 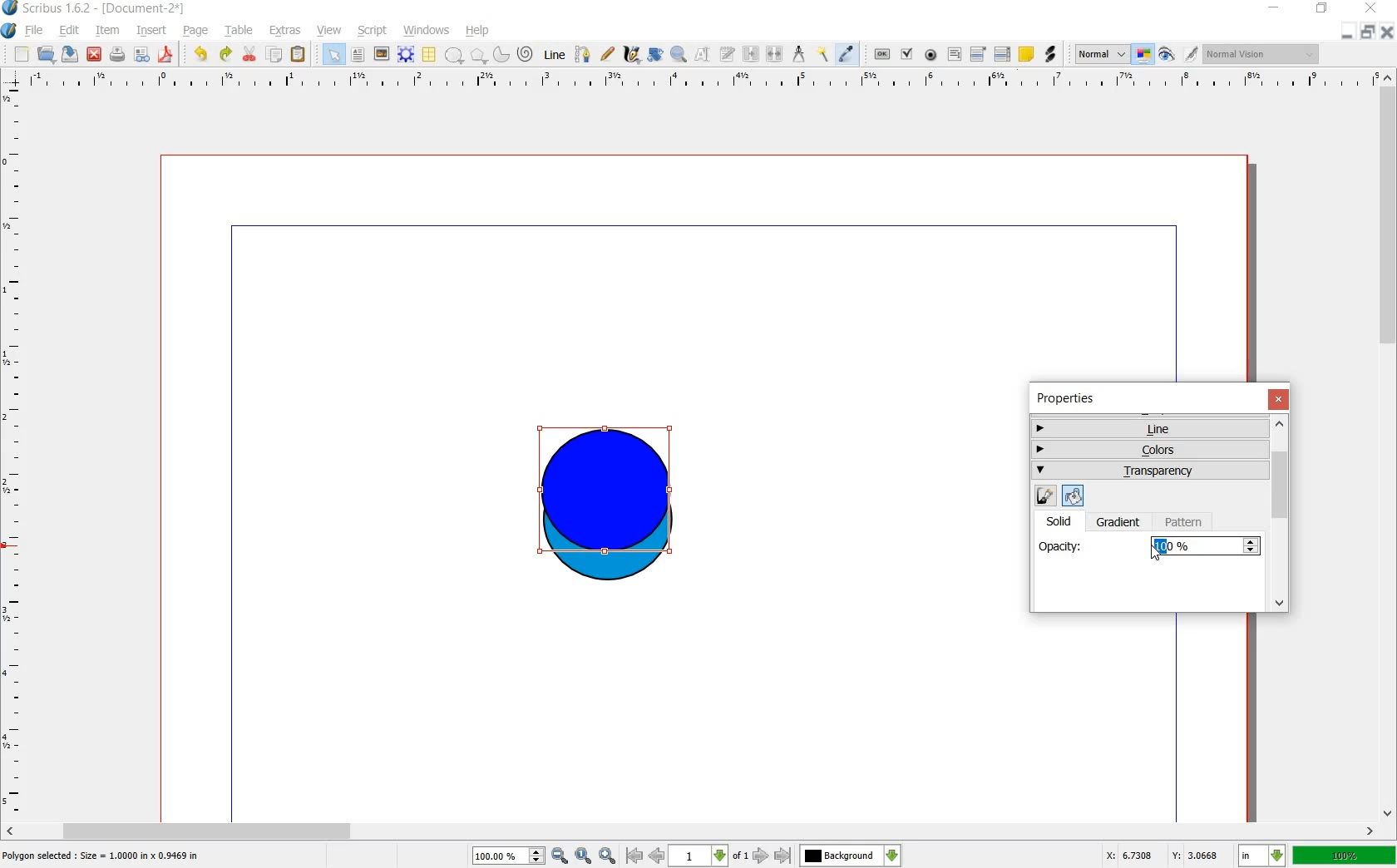 What do you see at coordinates (477, 31) in the screenshot?
I see `help` at bounding box center [477, 31].